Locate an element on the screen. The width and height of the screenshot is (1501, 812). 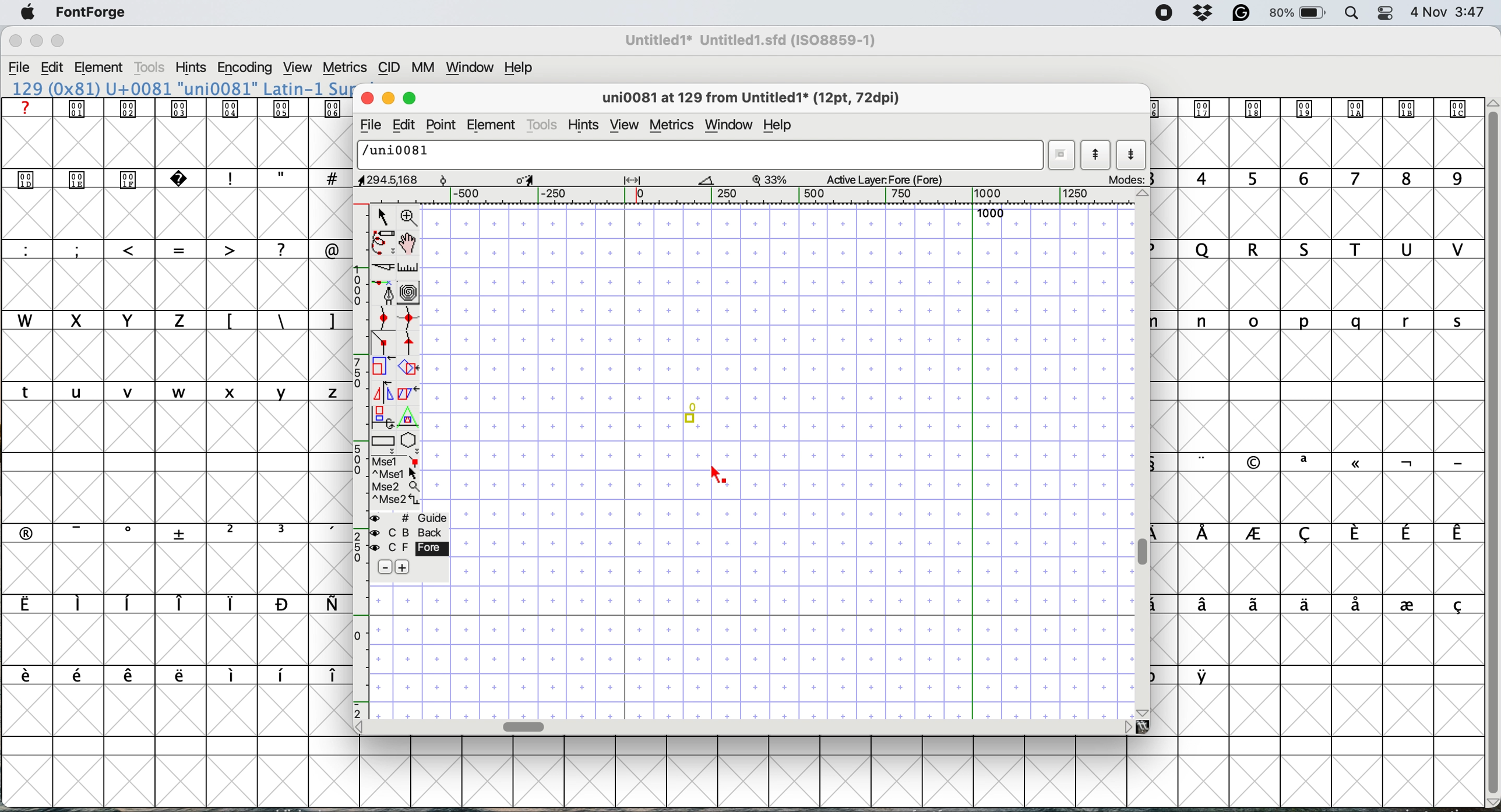
Rotate Point Tool is located at coordinates (444, 180).